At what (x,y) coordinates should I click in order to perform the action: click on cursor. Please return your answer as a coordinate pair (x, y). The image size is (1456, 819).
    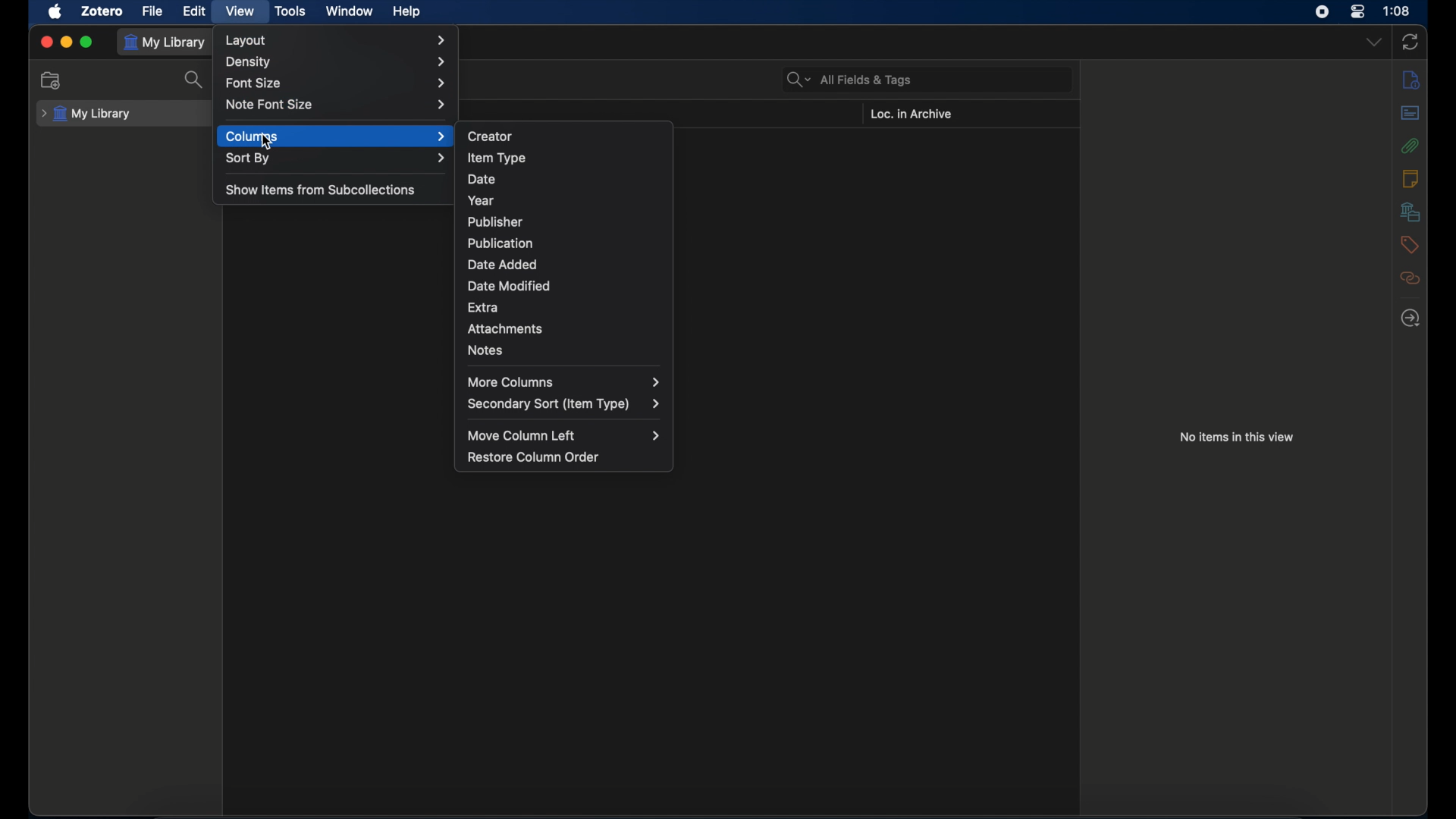
    Looking at the image, I should click on (268, 143).